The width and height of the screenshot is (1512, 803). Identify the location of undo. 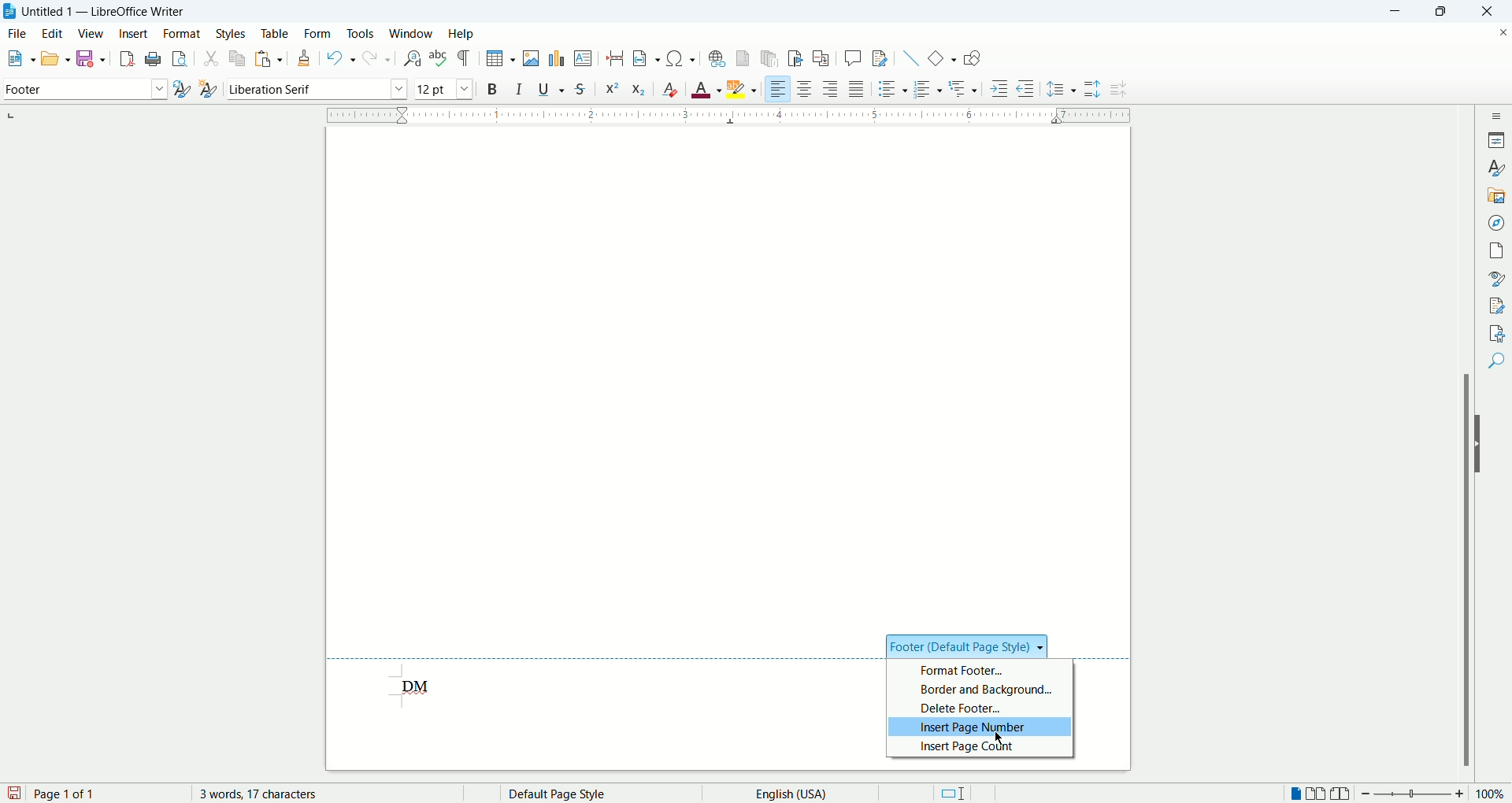
(341, 58).